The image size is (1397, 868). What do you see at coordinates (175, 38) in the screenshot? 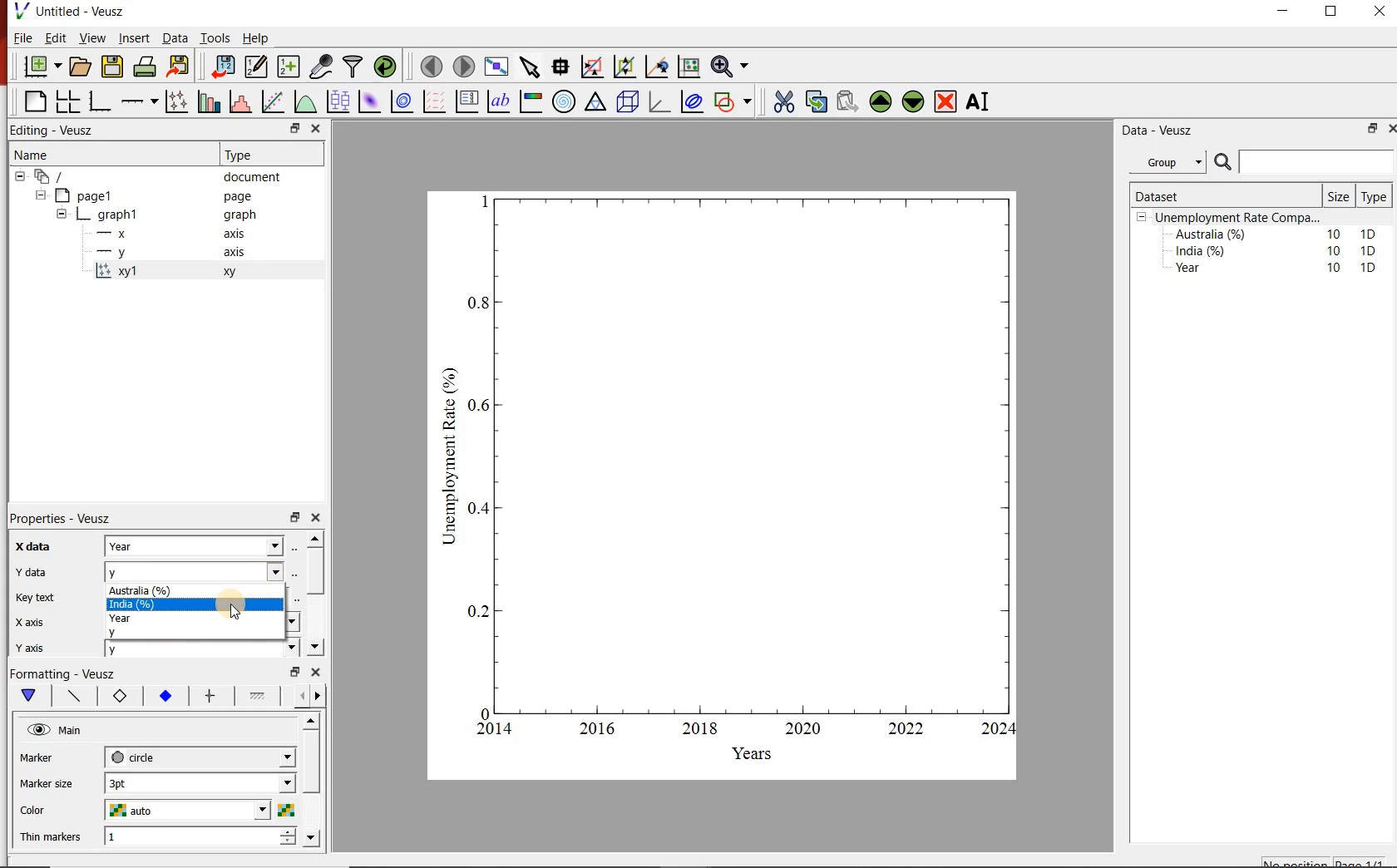
I see `Data` at bounding box center [175, 38].